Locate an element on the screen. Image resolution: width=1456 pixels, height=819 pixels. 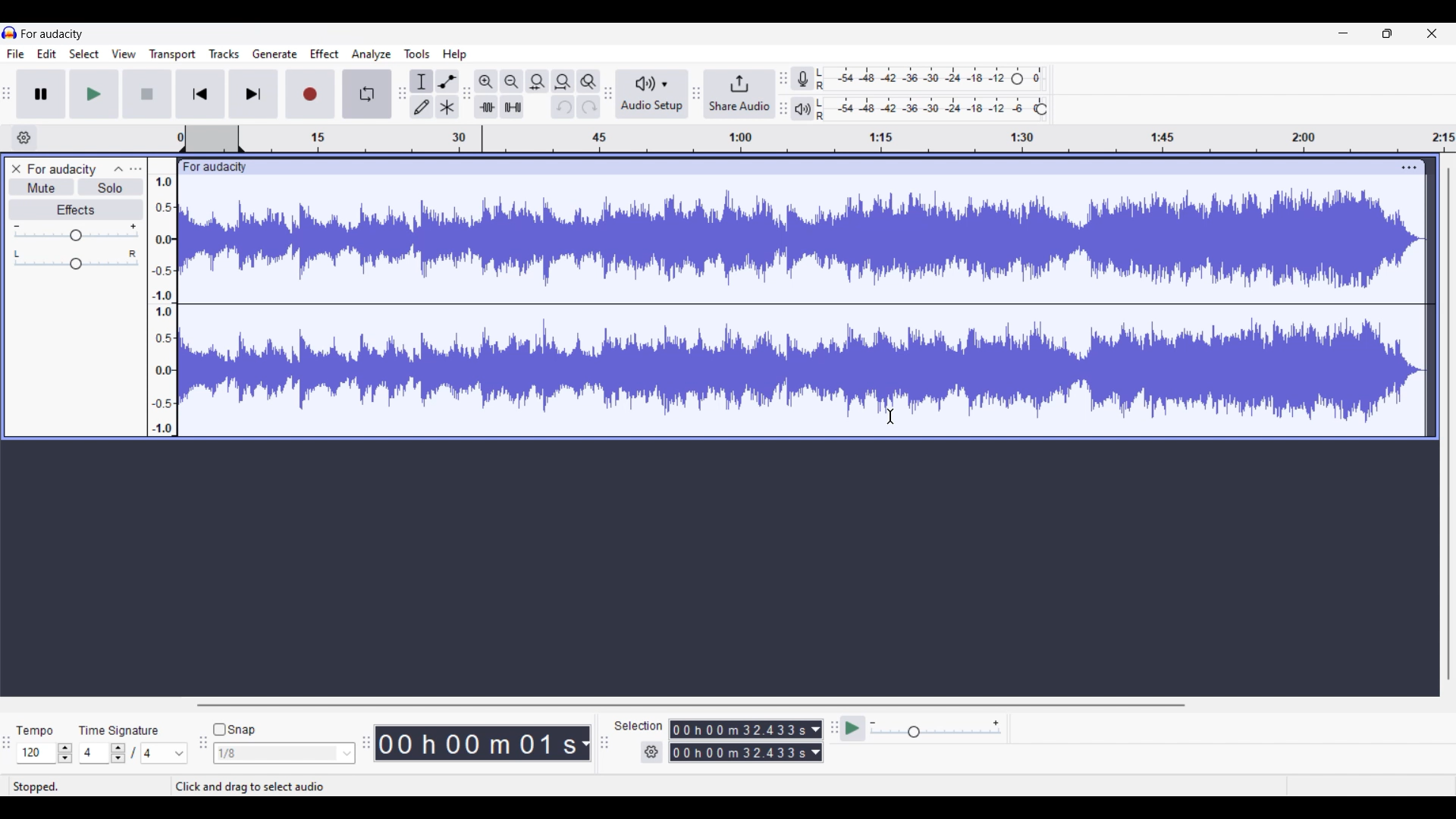
Vertical scroll bar is located at coordinates (1449, 424).